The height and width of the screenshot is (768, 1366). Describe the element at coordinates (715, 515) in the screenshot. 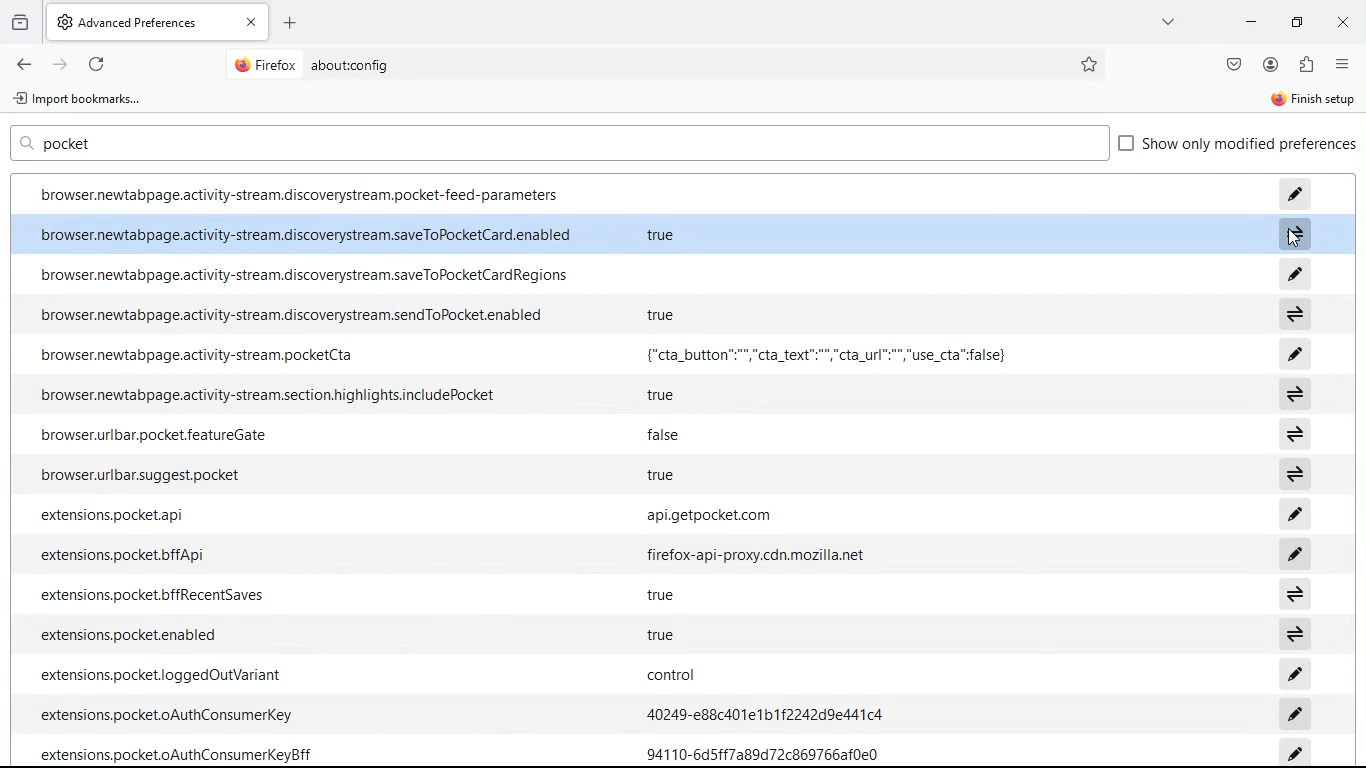

I see `api.getpocket.com` at that location.